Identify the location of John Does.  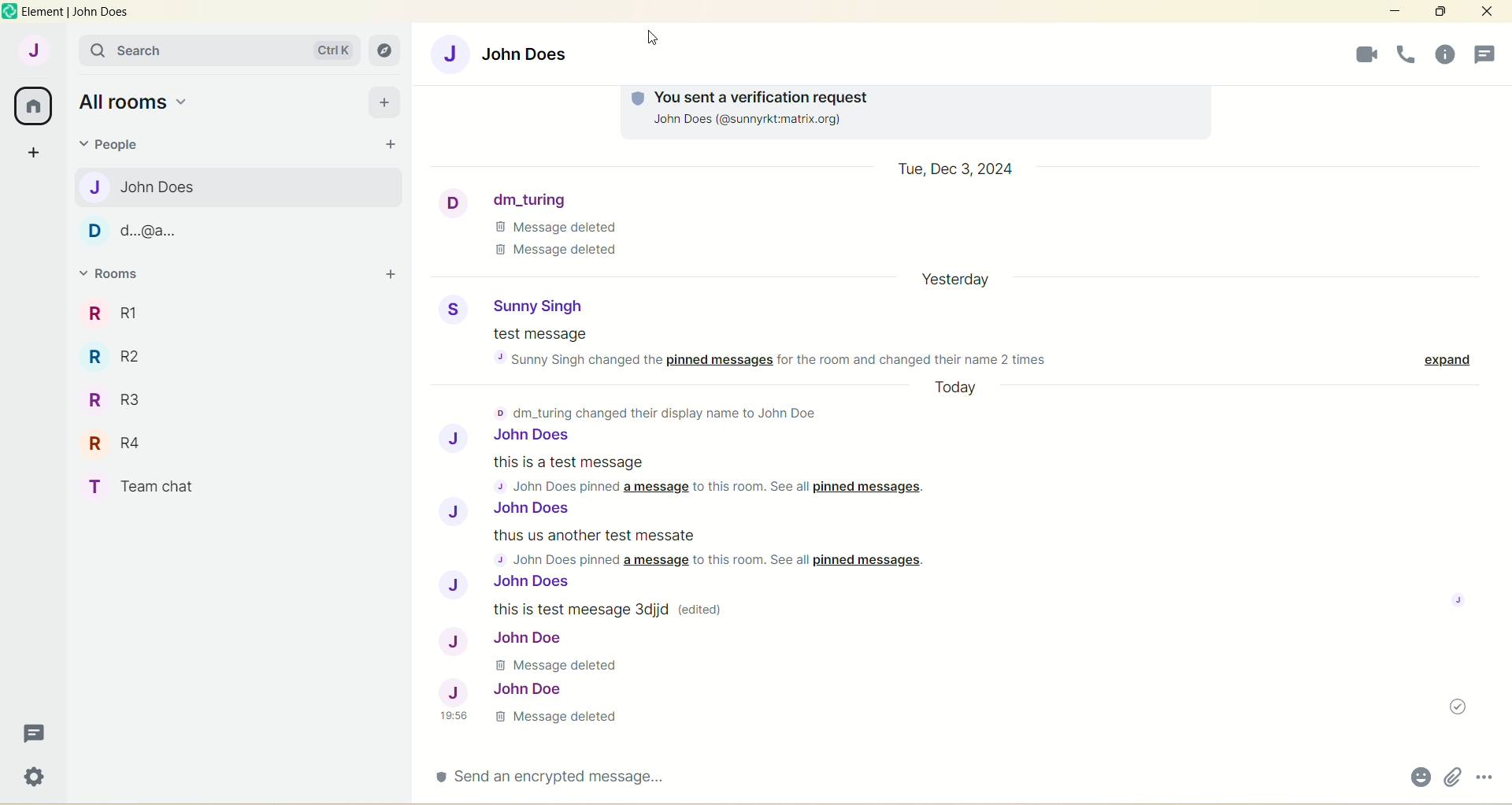
(508, 510).